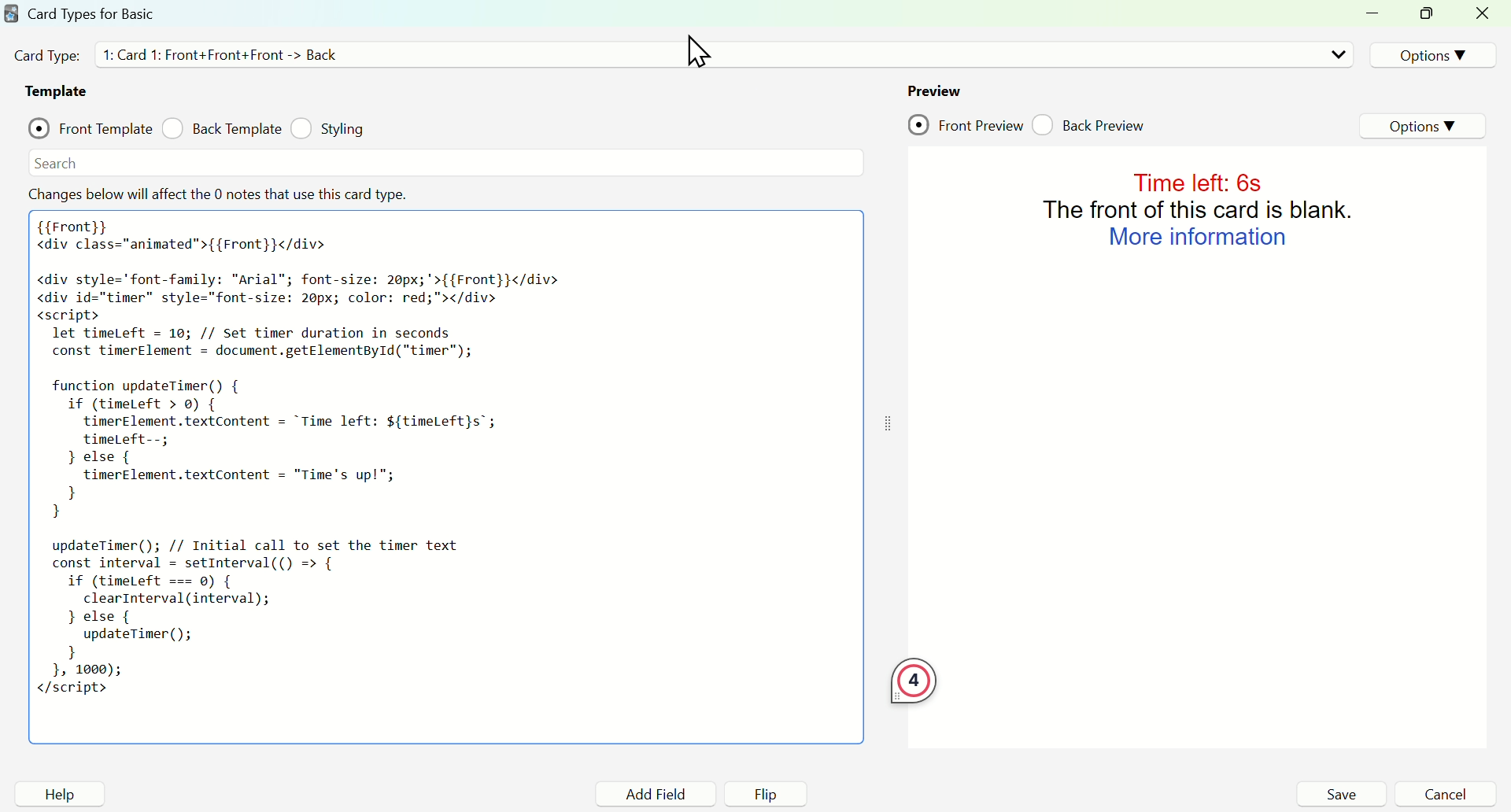  I want to click on resize, so click(1430, 15).